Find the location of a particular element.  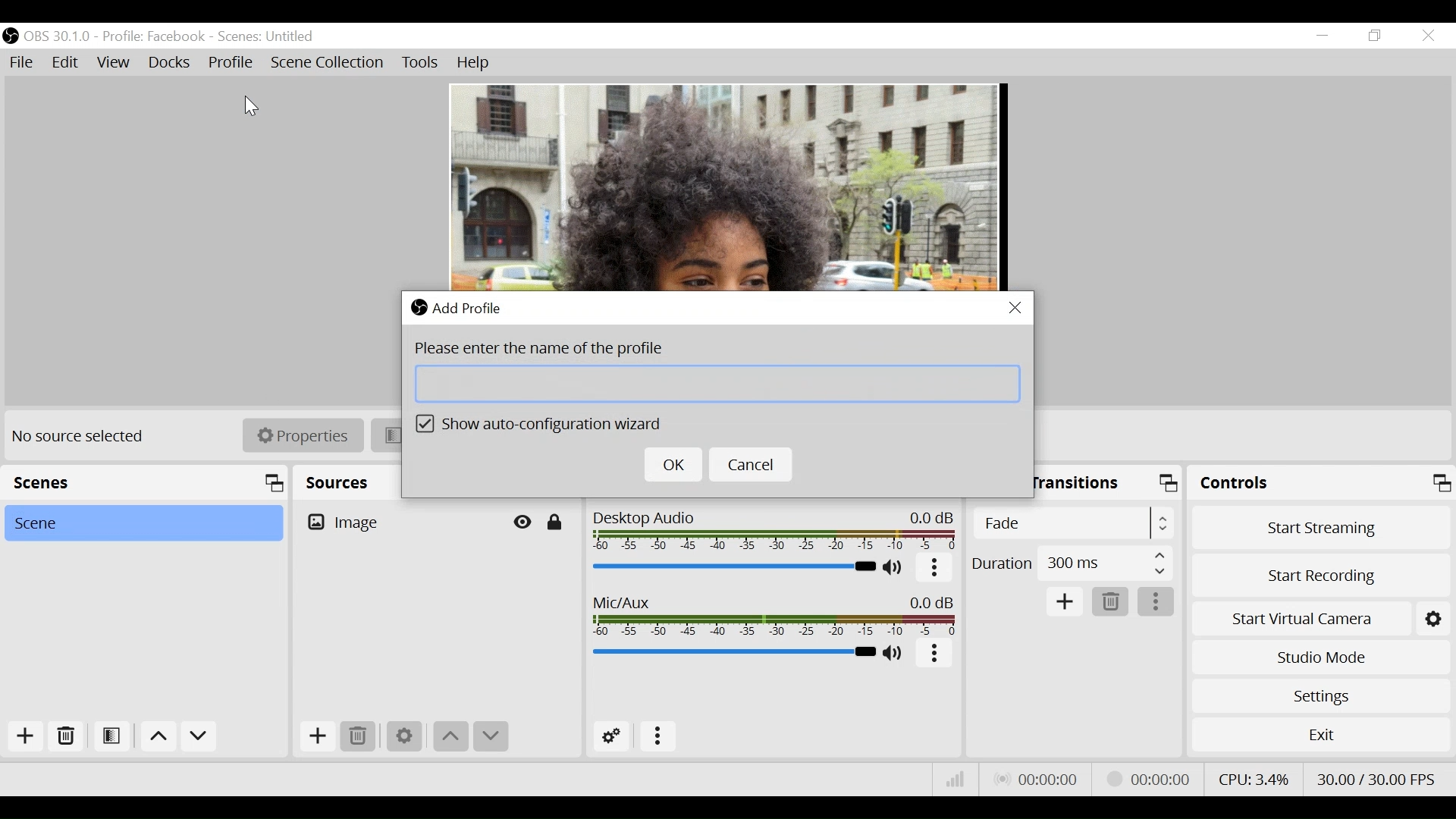

Open Scene Filter  is located at coordinates (108, 739).